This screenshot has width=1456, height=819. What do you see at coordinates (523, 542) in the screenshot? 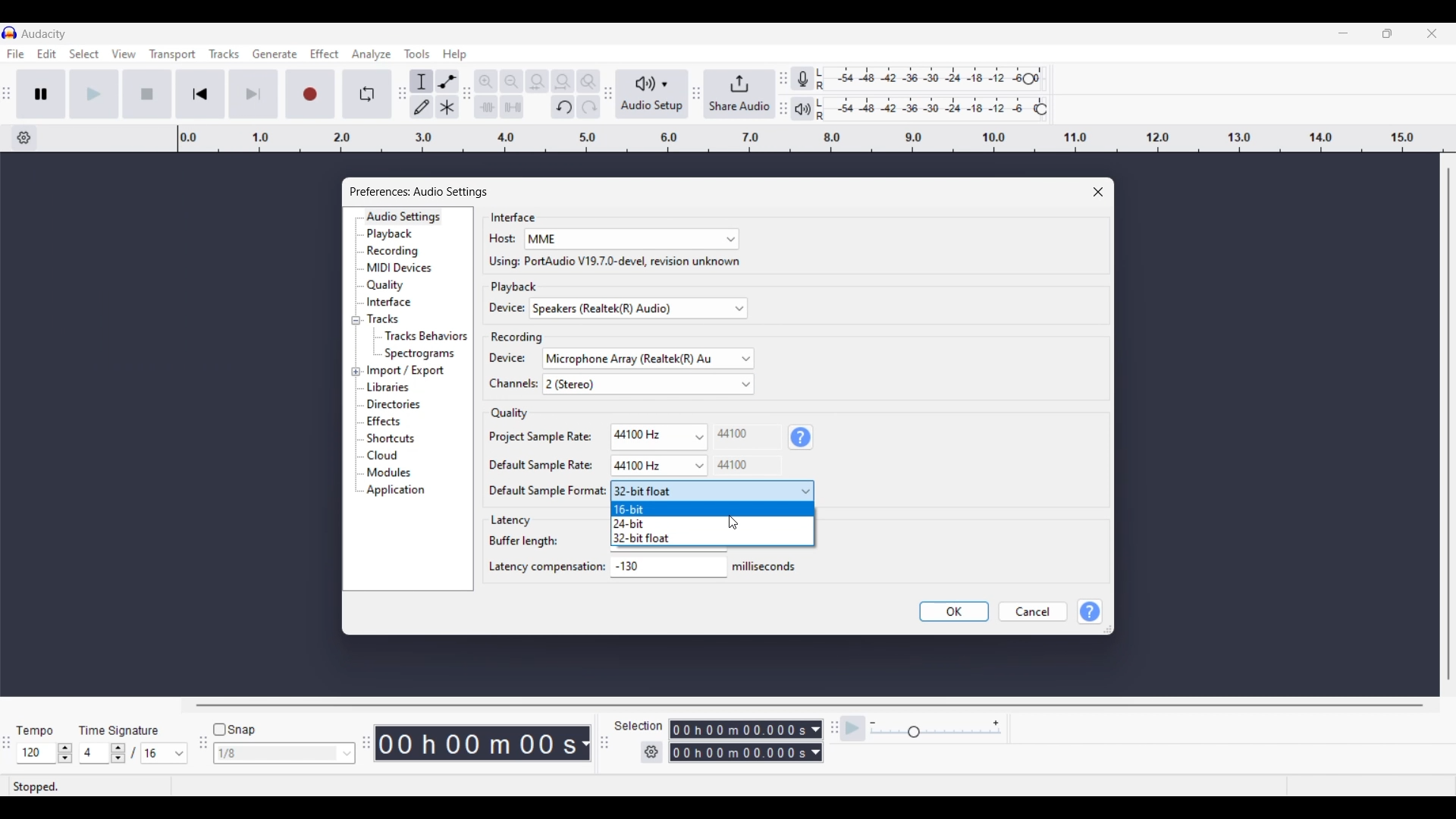
I see `Buffer length:` at bounding box center [523, 542].